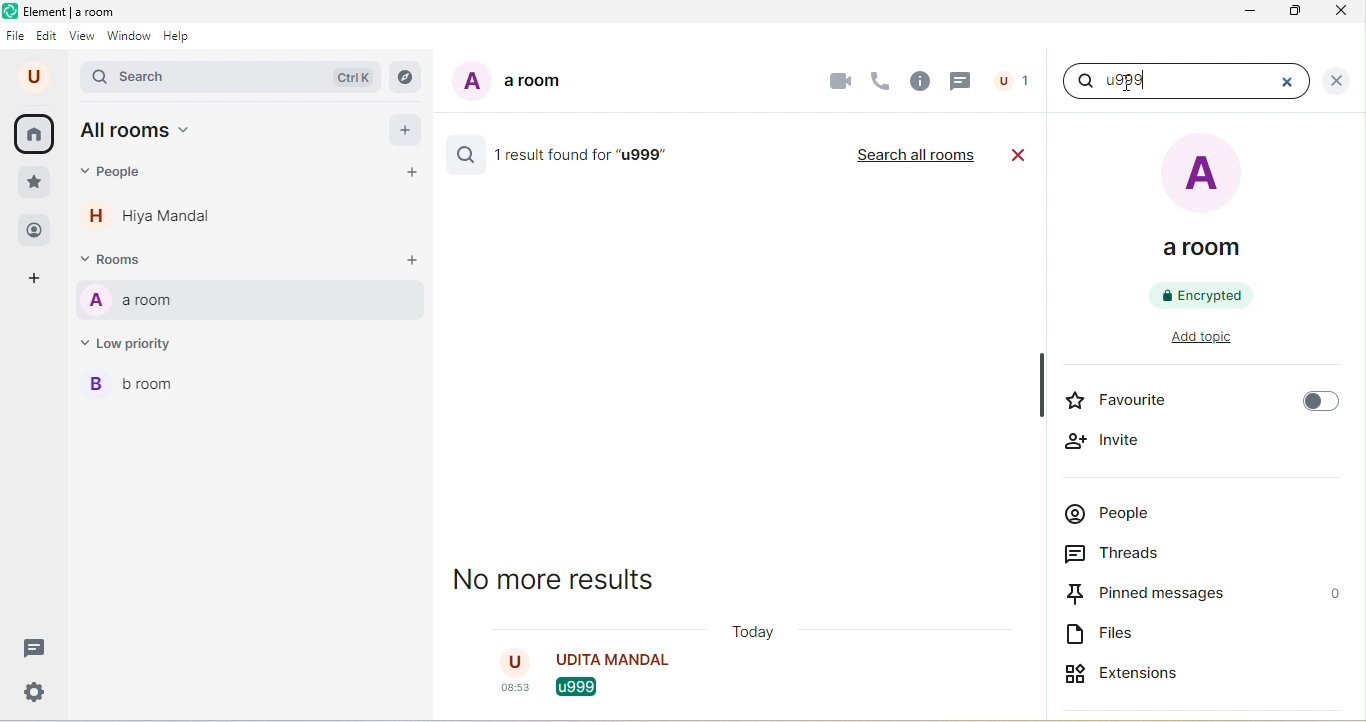 The height and width of the screenshot is (722, 1366). Describe the element at coordinates (66, 13) in the screenshot. I see `title` at that location.